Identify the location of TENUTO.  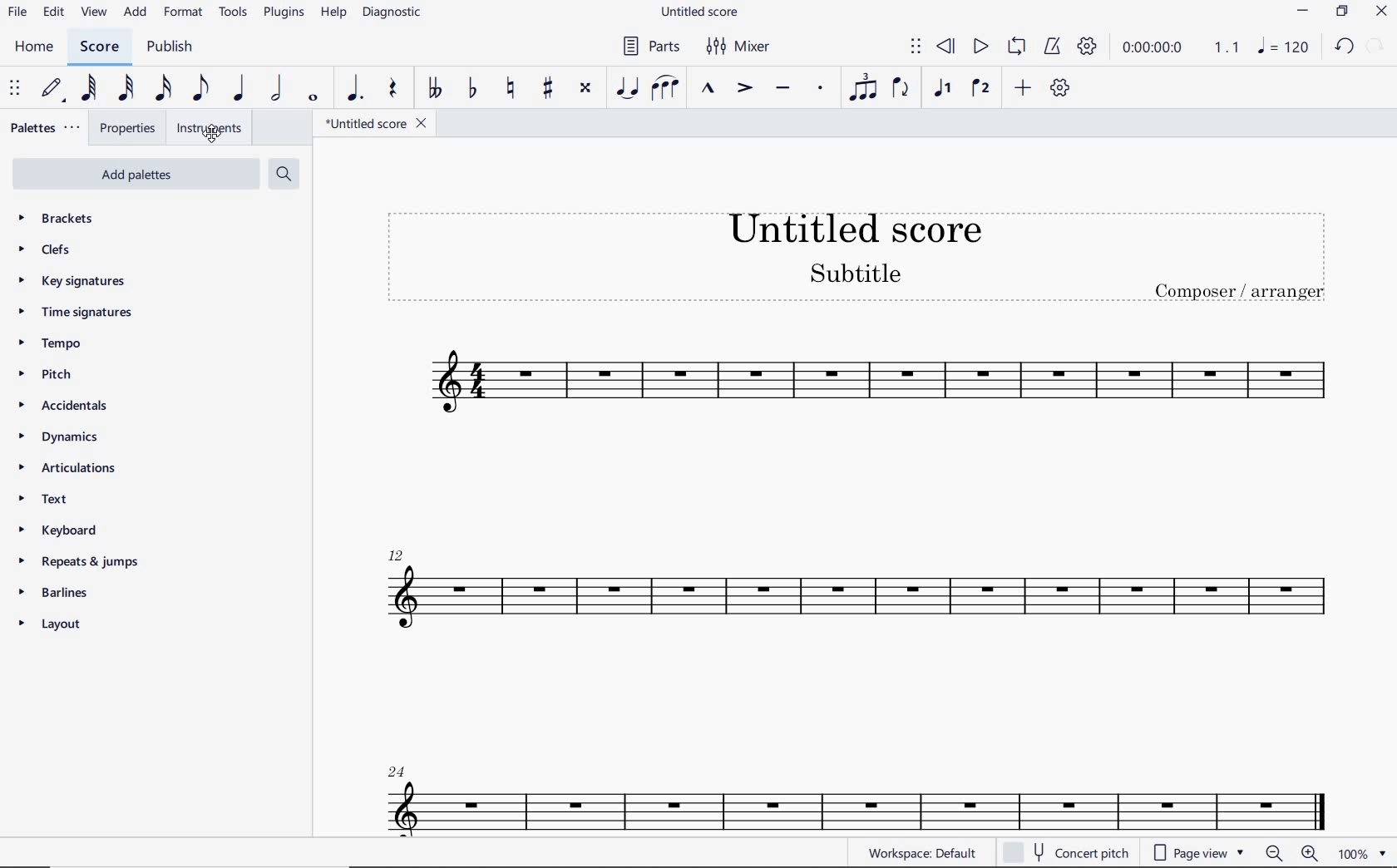
(782, 90).